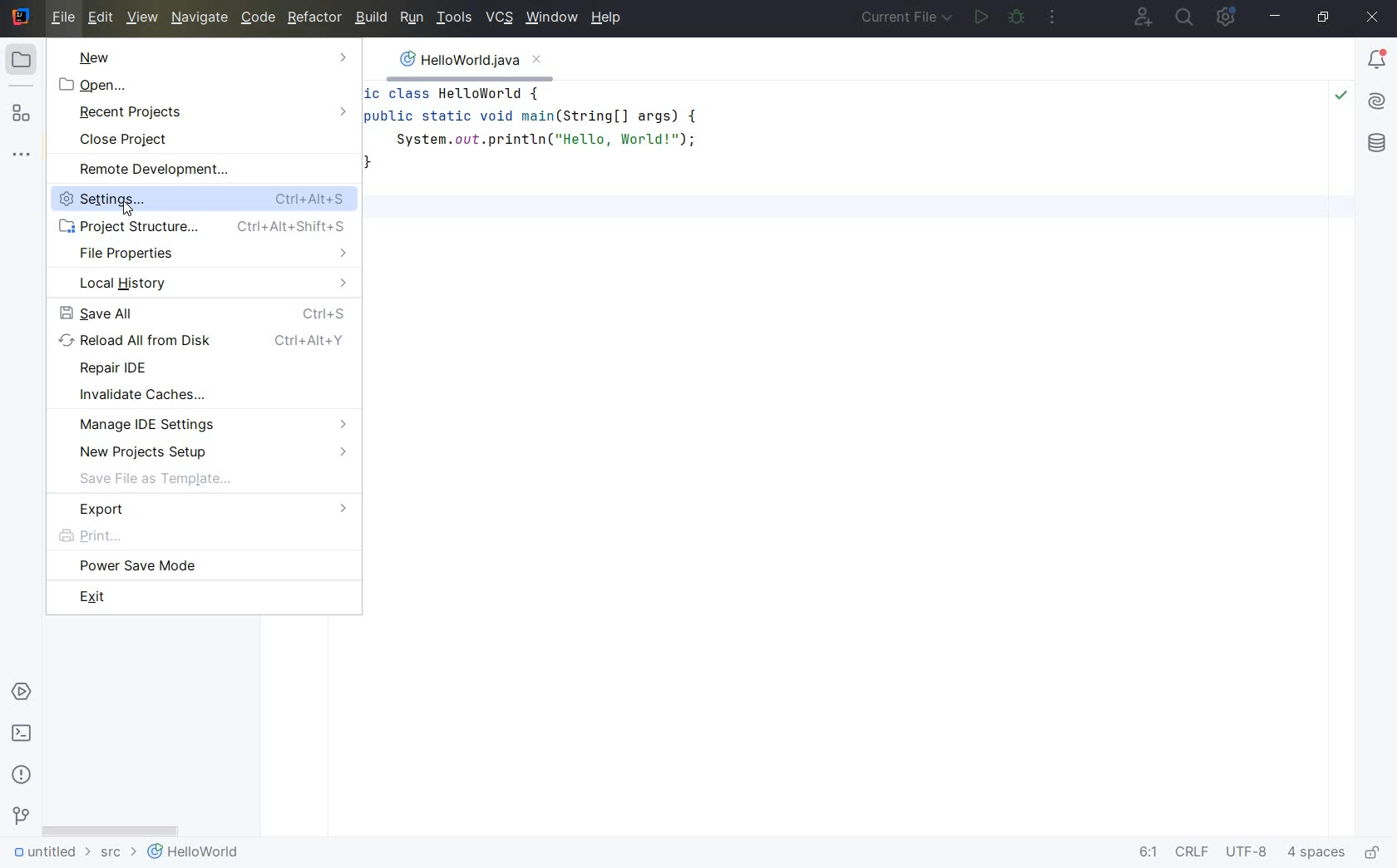  Describe the element at coordinates (206, 369) in the screenshot. I see `REPAIR IDE` at that location.